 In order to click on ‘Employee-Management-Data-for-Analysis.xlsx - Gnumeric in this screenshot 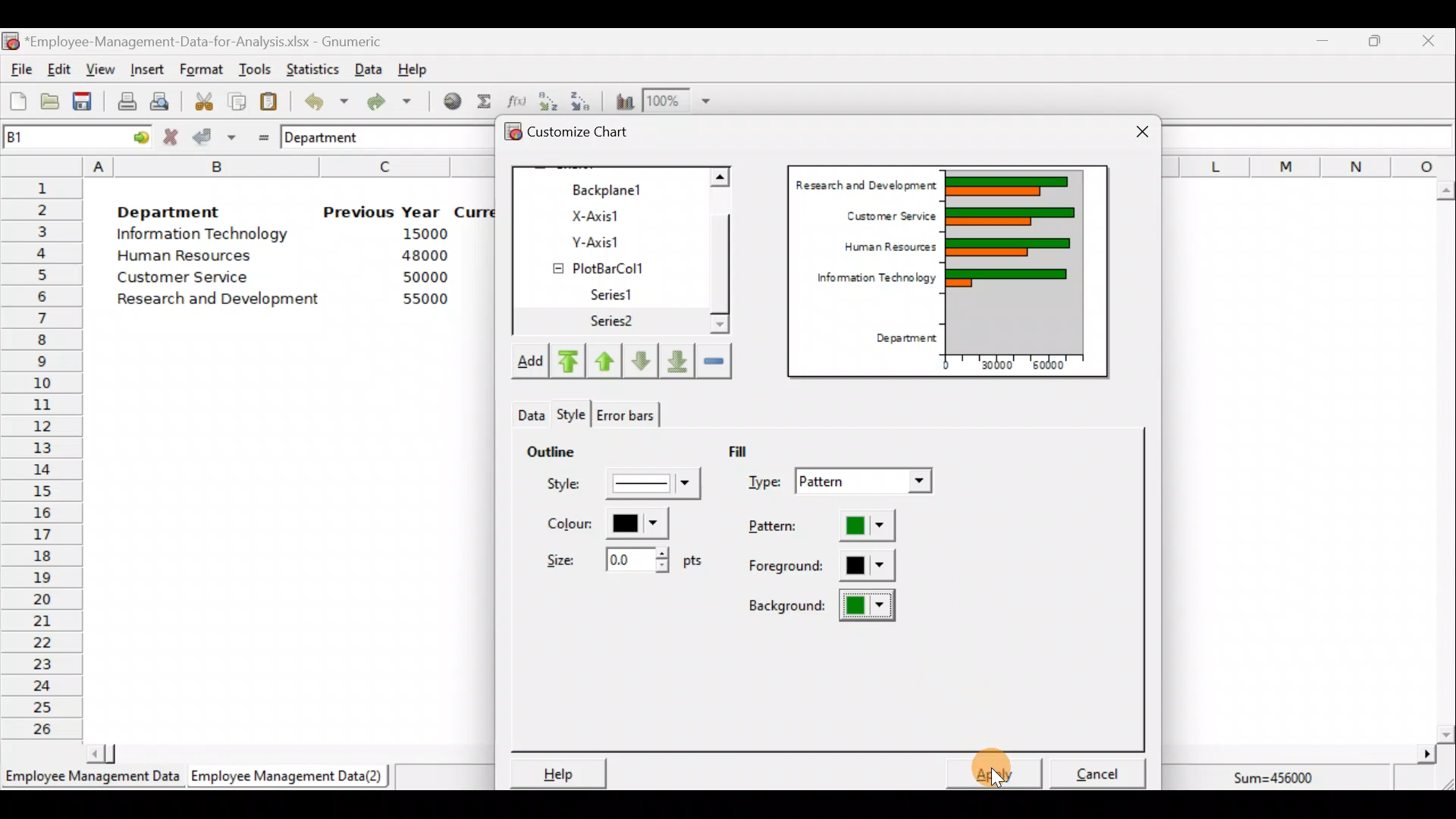, I will do `click(208, 40)`.